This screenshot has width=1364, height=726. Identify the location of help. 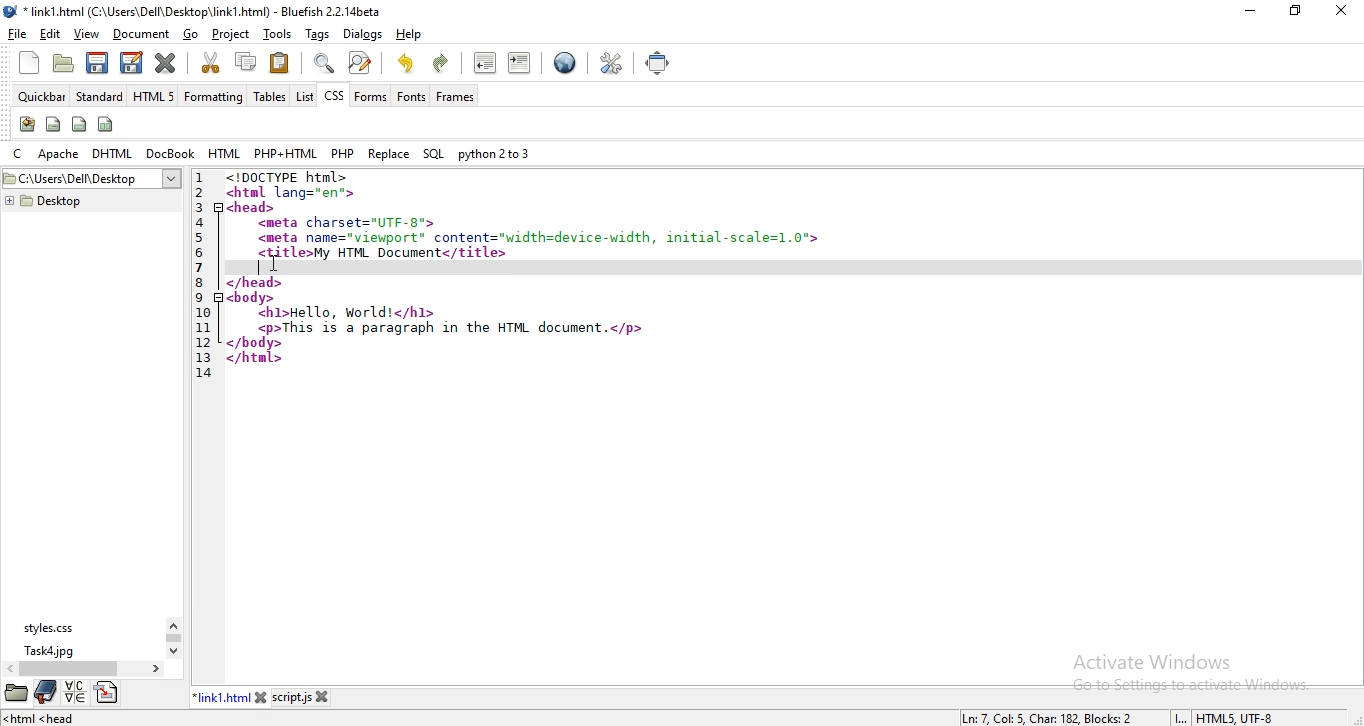
(414, 37).